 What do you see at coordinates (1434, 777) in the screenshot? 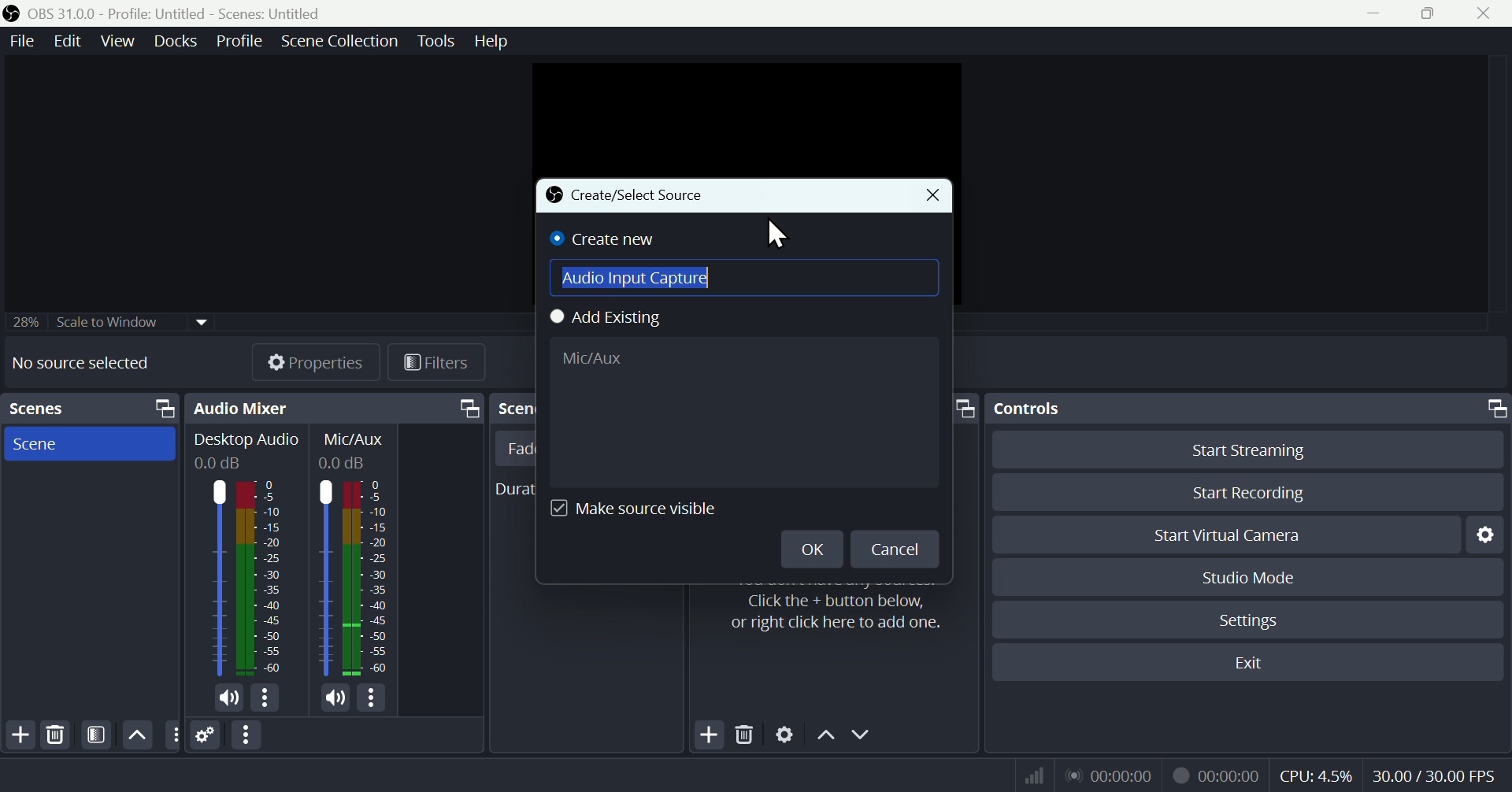
I see `Frame Per Second` at bounding box center [1434, 777].